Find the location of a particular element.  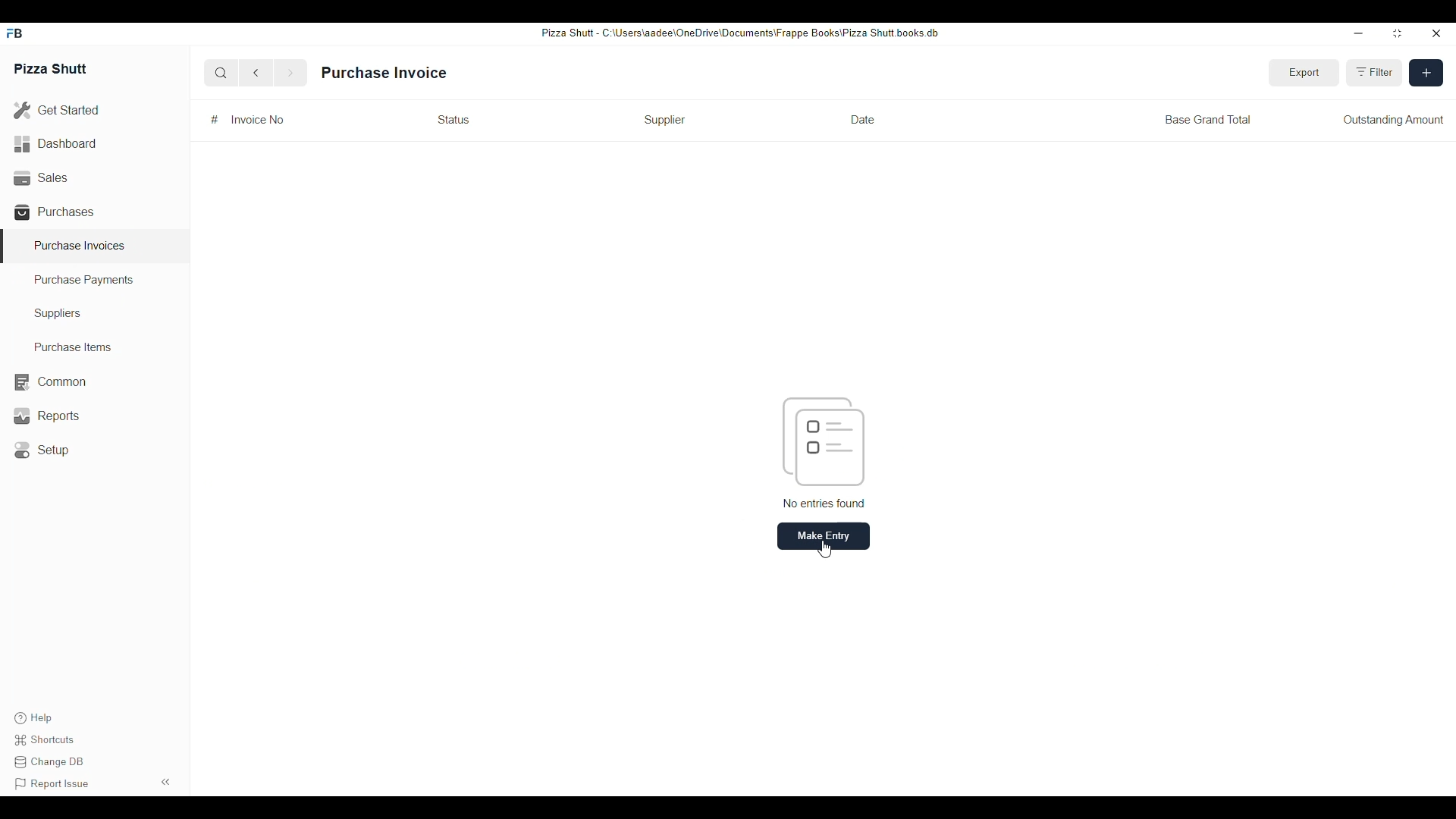

minimize is located at coordinates (1358, 33).